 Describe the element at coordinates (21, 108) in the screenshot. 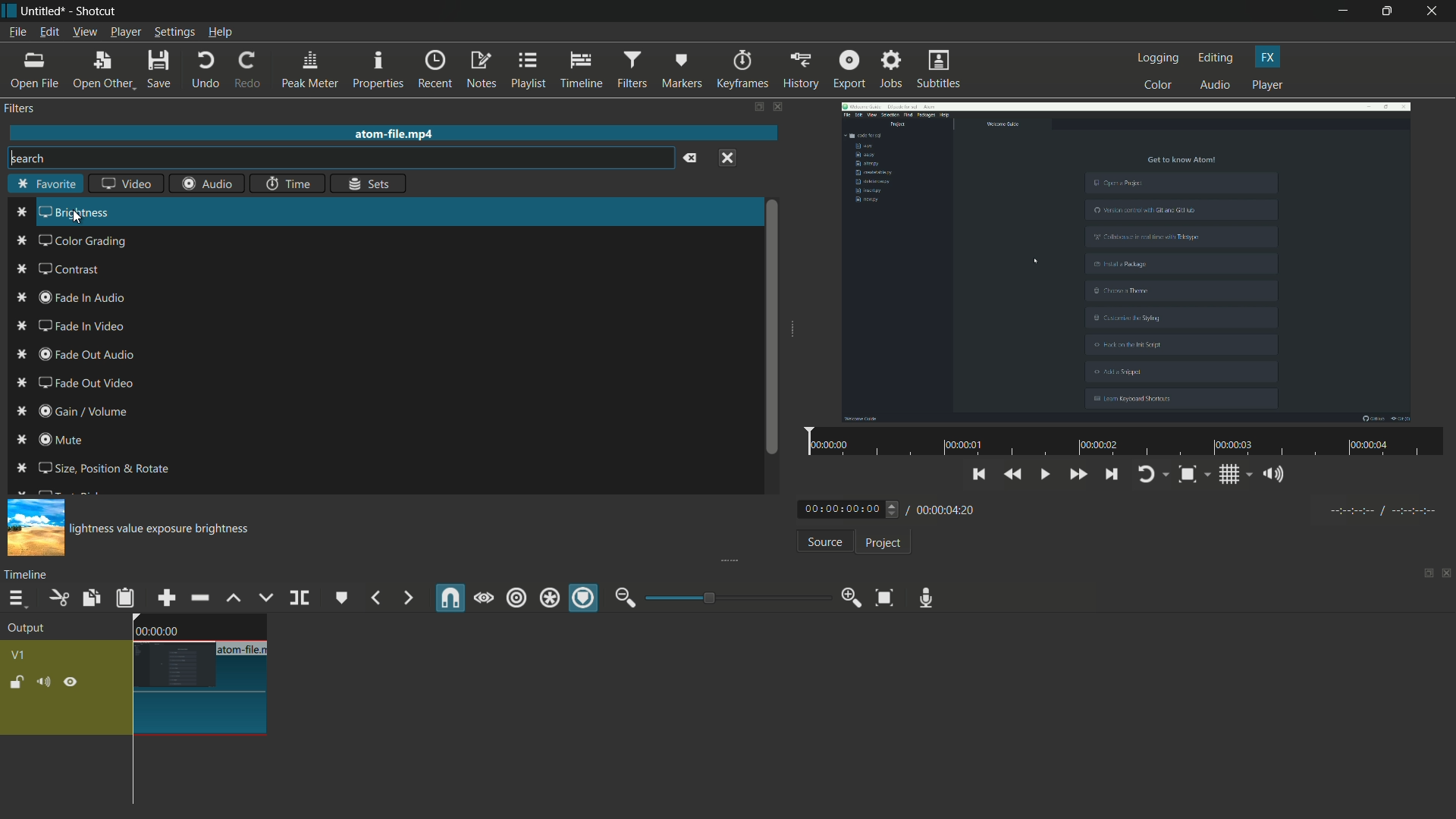

I see `filters` at that location.